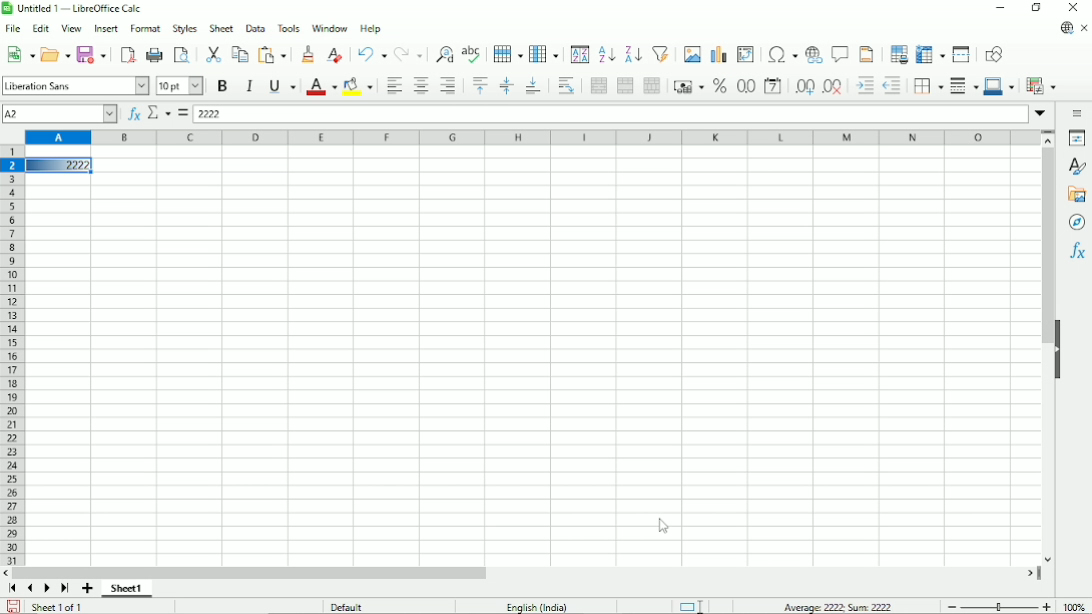 The height and width of the screenshot is (614, 1092). Describe the element at coordinates (717, 53) in the screenshot. I see `Insert chart` at that location.